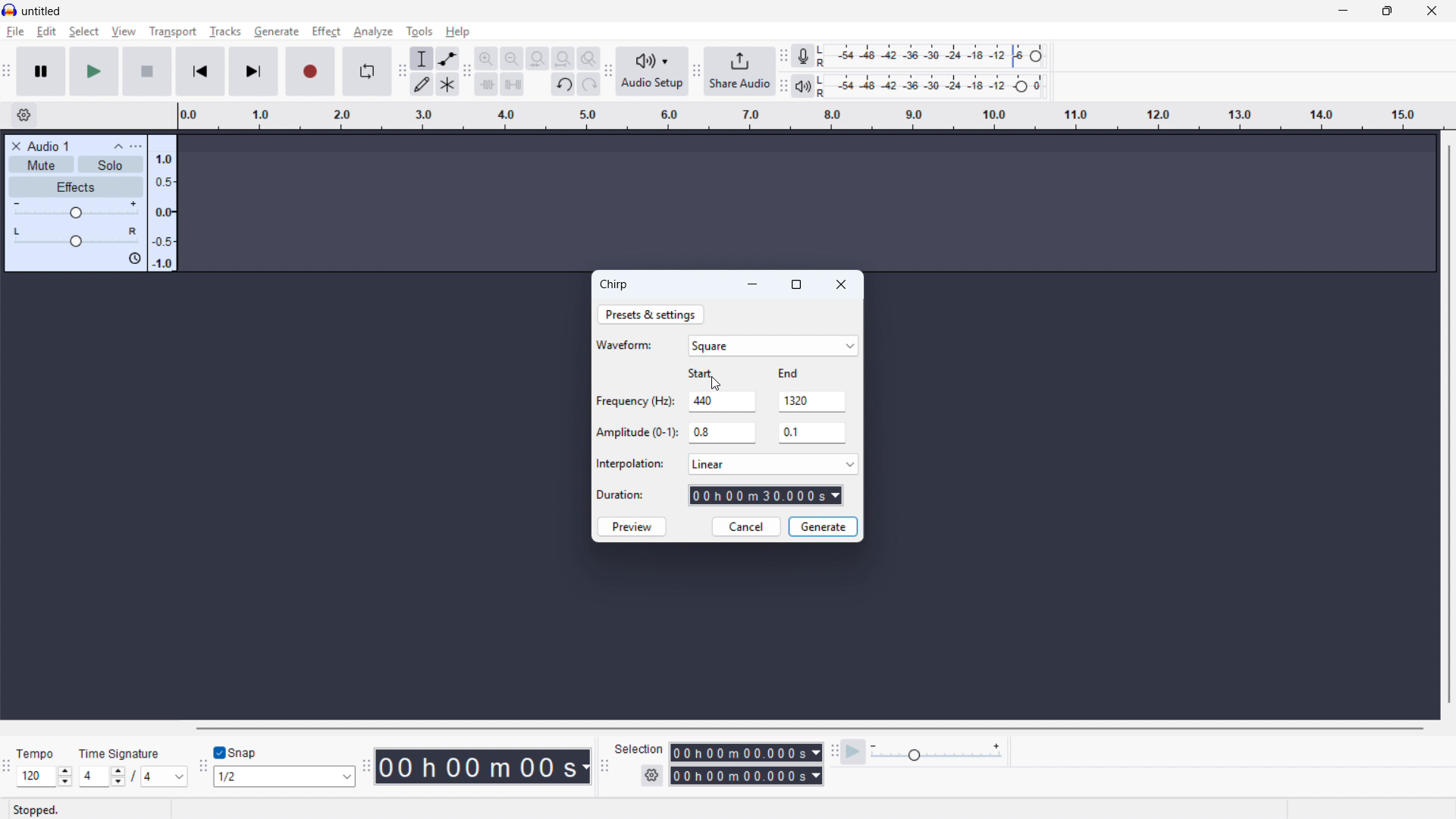  I want to click on Chirp dialogue box , so click(613, 284).